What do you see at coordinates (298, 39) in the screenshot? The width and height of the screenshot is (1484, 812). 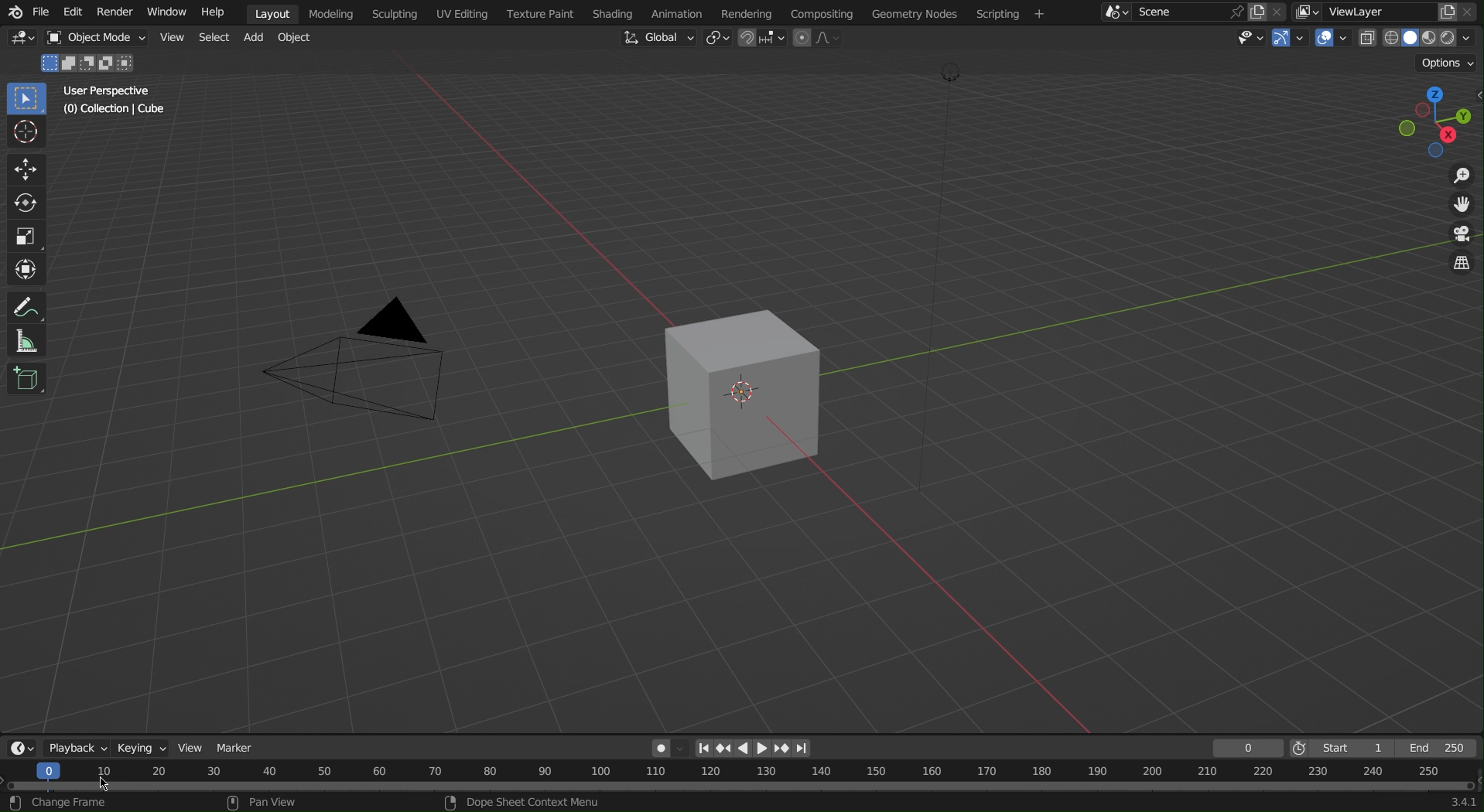 I see `Object` at bounding box center [298, 39].